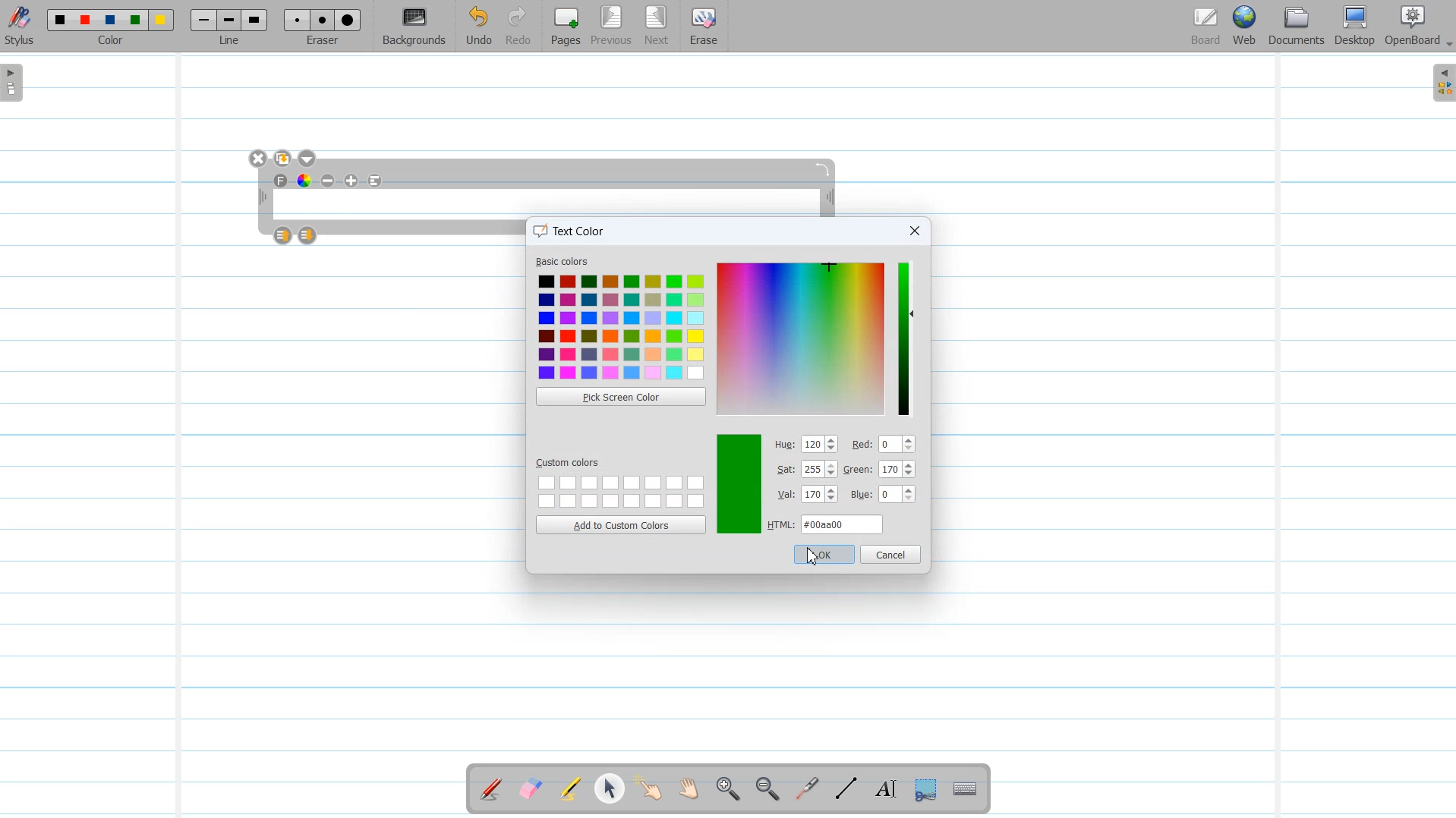 The width and height of the screenshot is (1456, 818). What do you see at coordinates (308, 235) in the screenshot?
I see `Layer Down` at bounding box center [308, 235].